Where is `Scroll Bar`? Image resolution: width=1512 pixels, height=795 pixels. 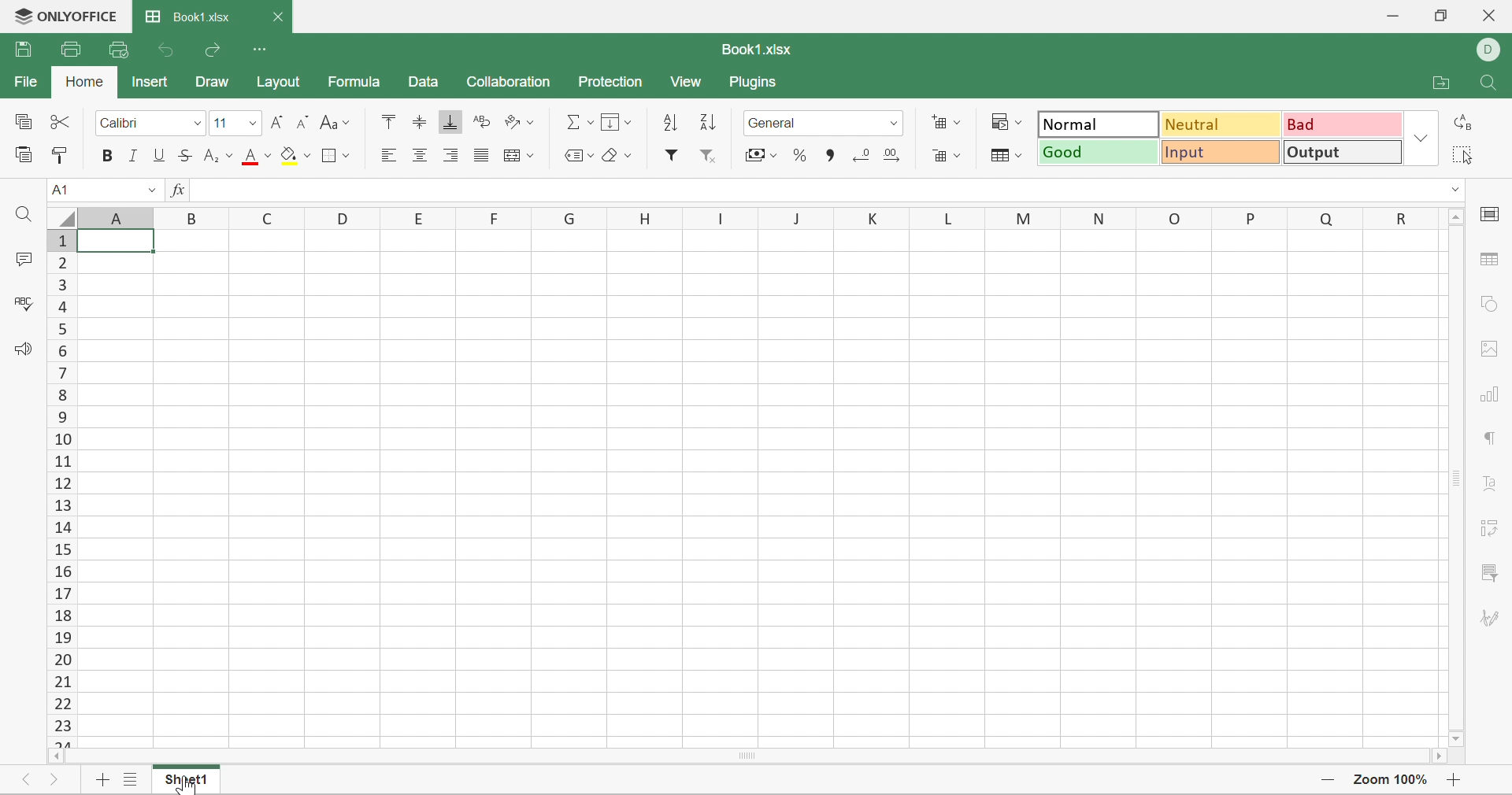 Scroll Bar is located at coordinates (745, 755).